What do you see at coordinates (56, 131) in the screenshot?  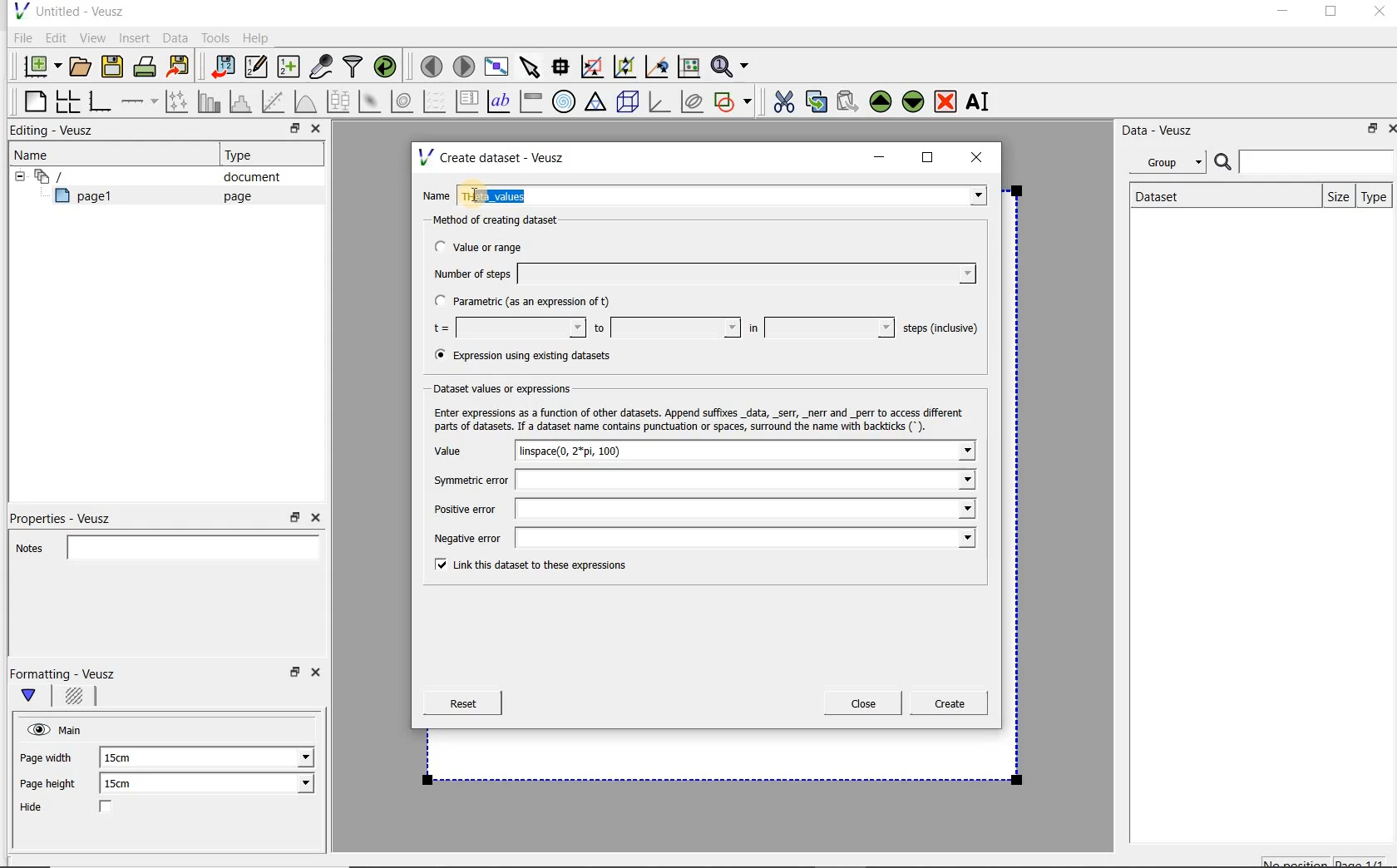 I see `Editing - Veusz` at bounding box center [56, 131].